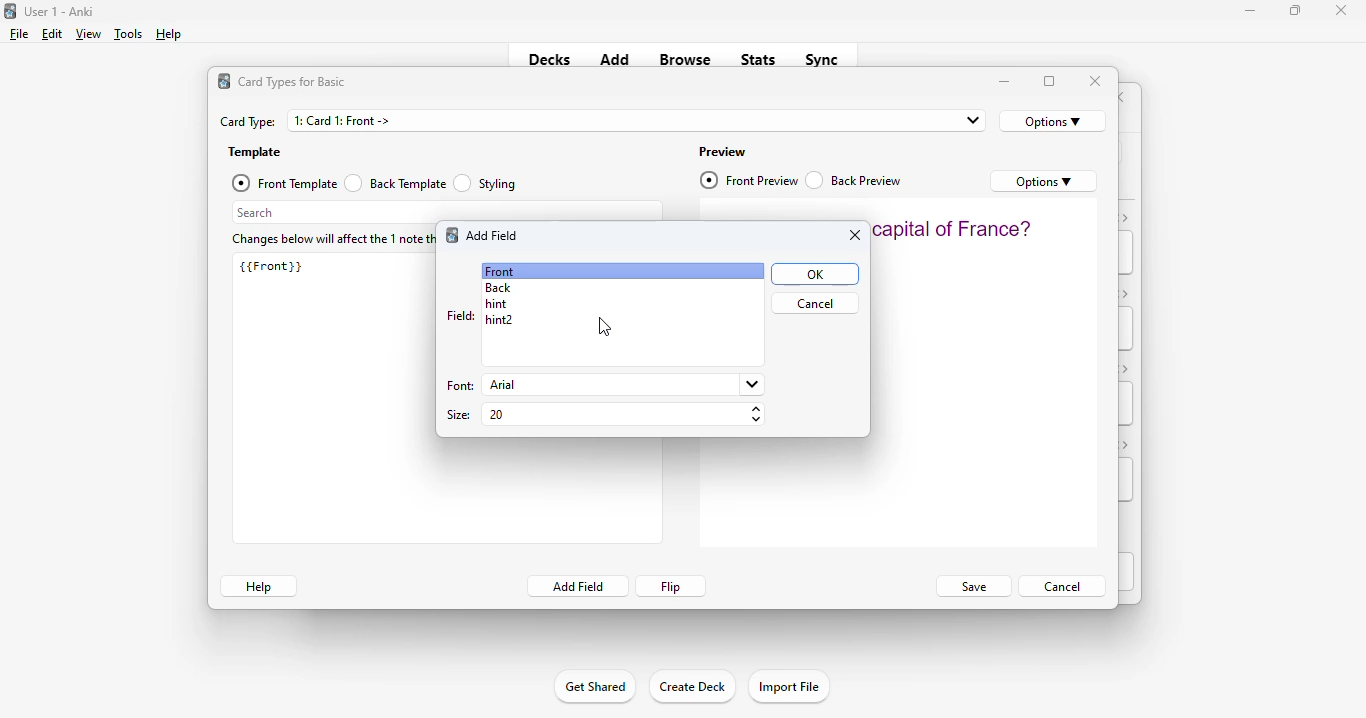  Describe the element at coordinates (292, 82) in the screenshot. I see `card types for basic` at that location.